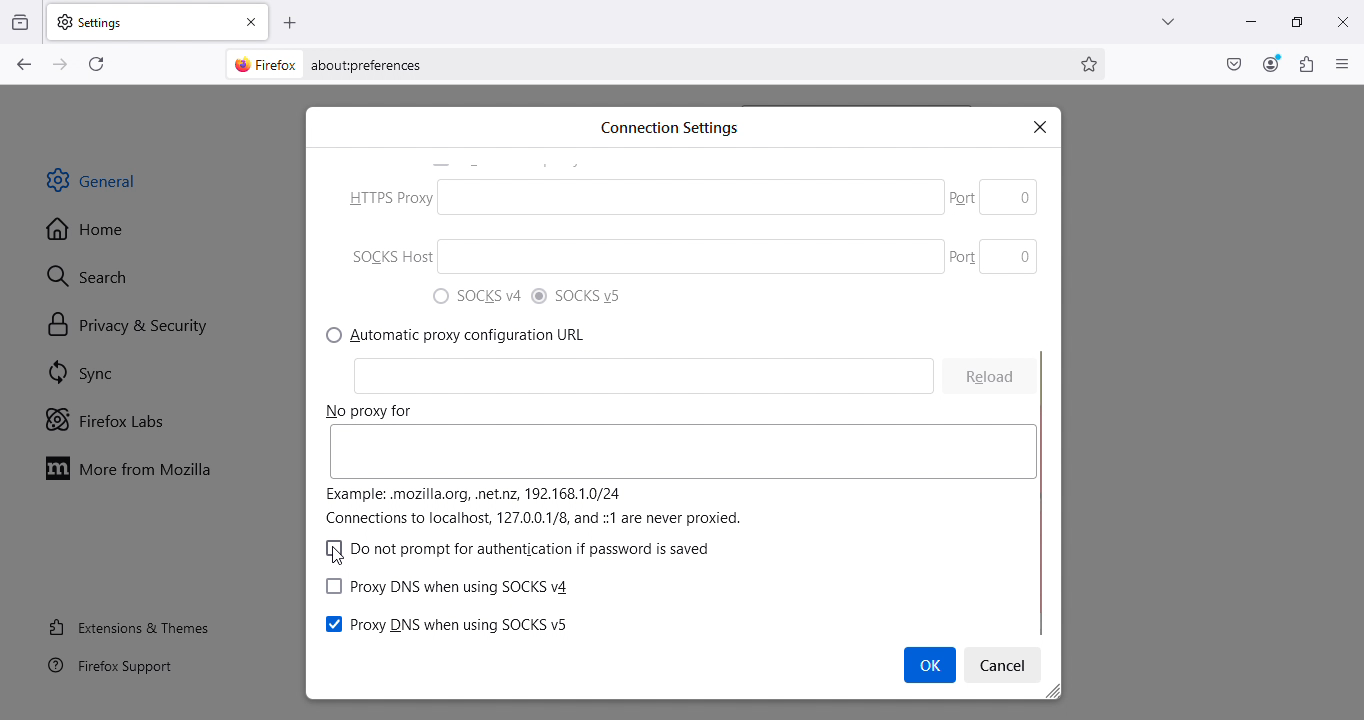 This screenshot has width=1364, height=720. Describe the element at coordinates (129, 630) in the screenshot. I see `Extensions and themes` at that location.